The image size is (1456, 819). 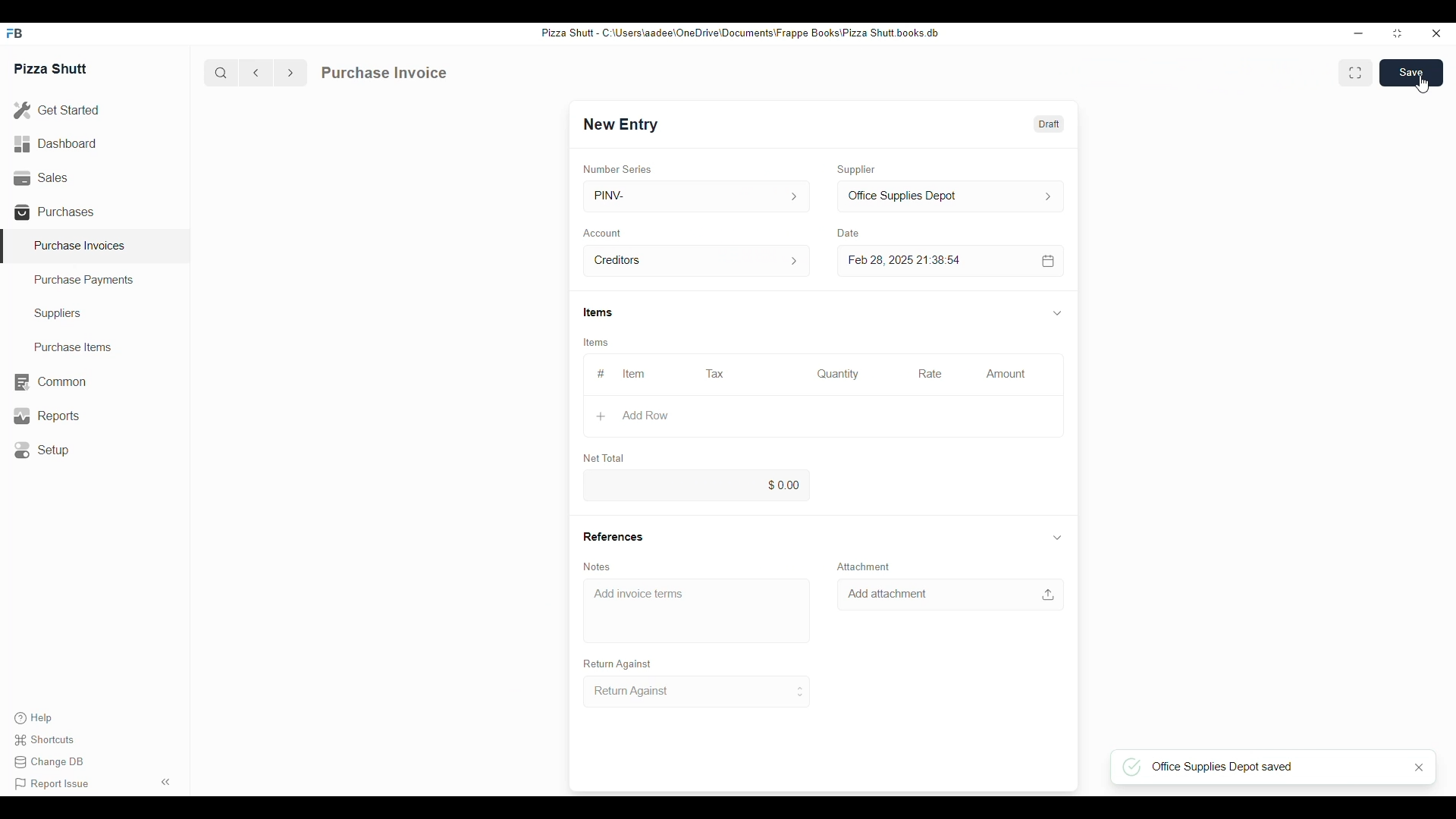 What do you see at coordinates (259, 73) in the screenshot?
I see `back` at bounding box center [259, 73].